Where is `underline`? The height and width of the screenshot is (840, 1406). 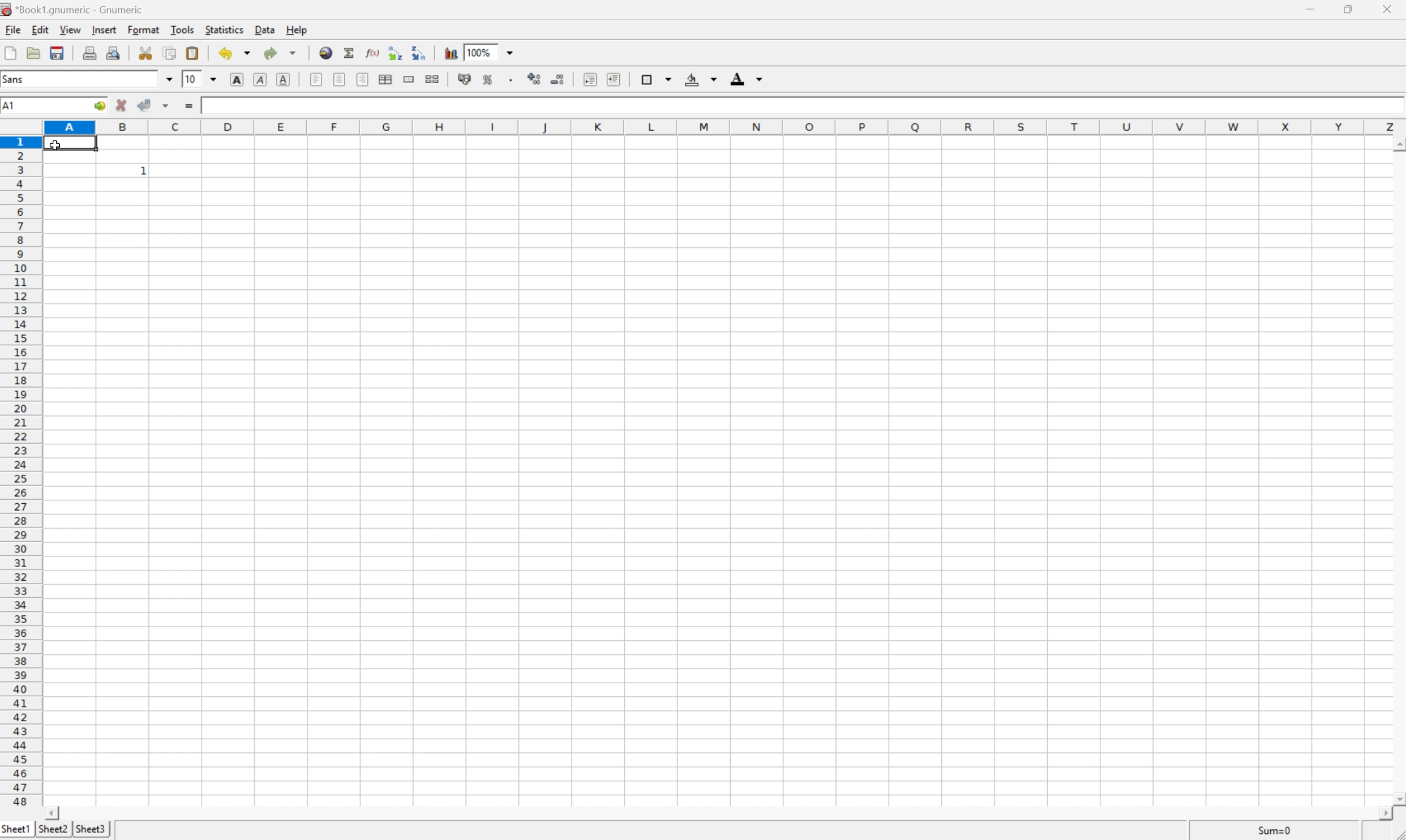
underline is located at coordinates (285, 79).